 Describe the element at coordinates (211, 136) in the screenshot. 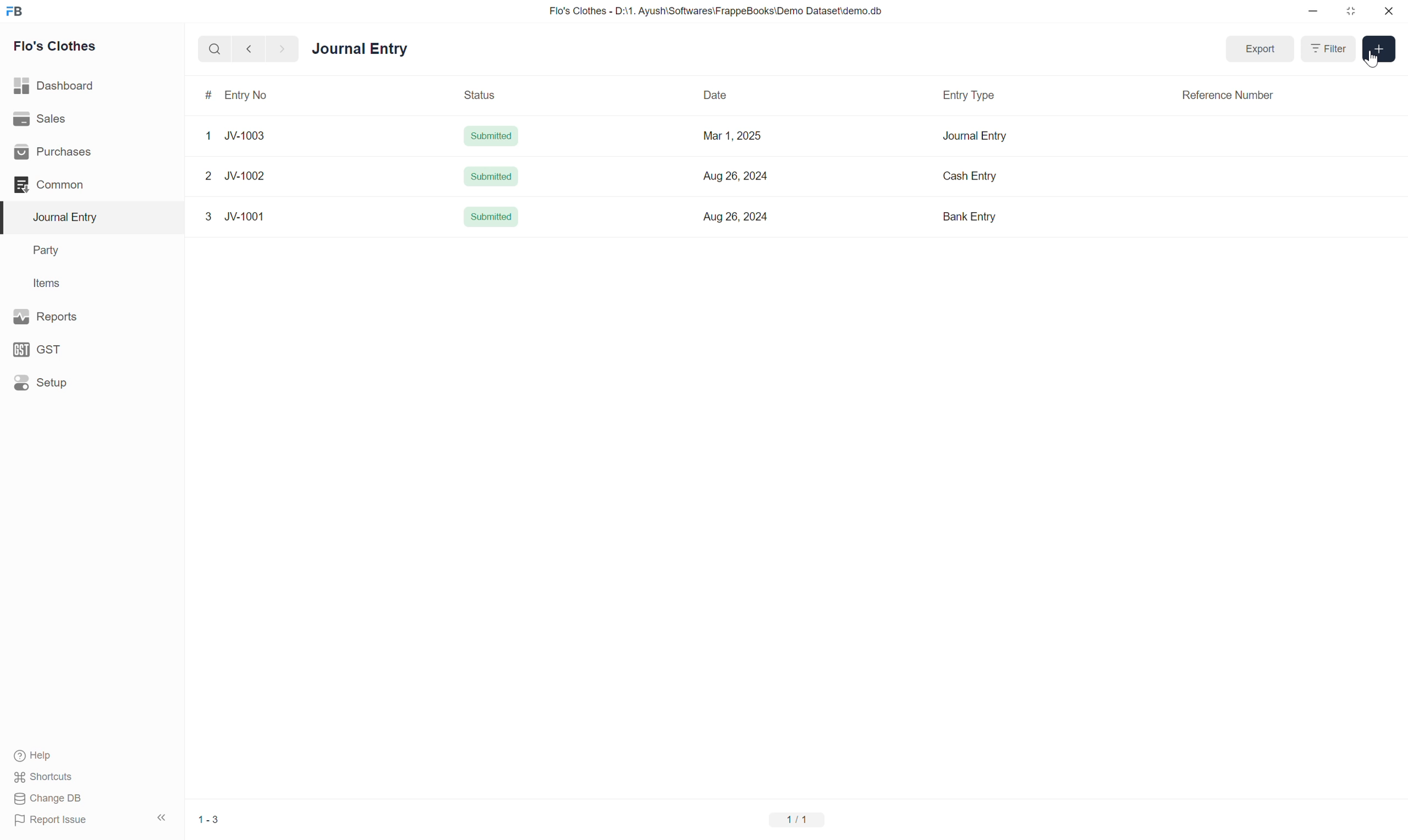

I see `1` at that location.